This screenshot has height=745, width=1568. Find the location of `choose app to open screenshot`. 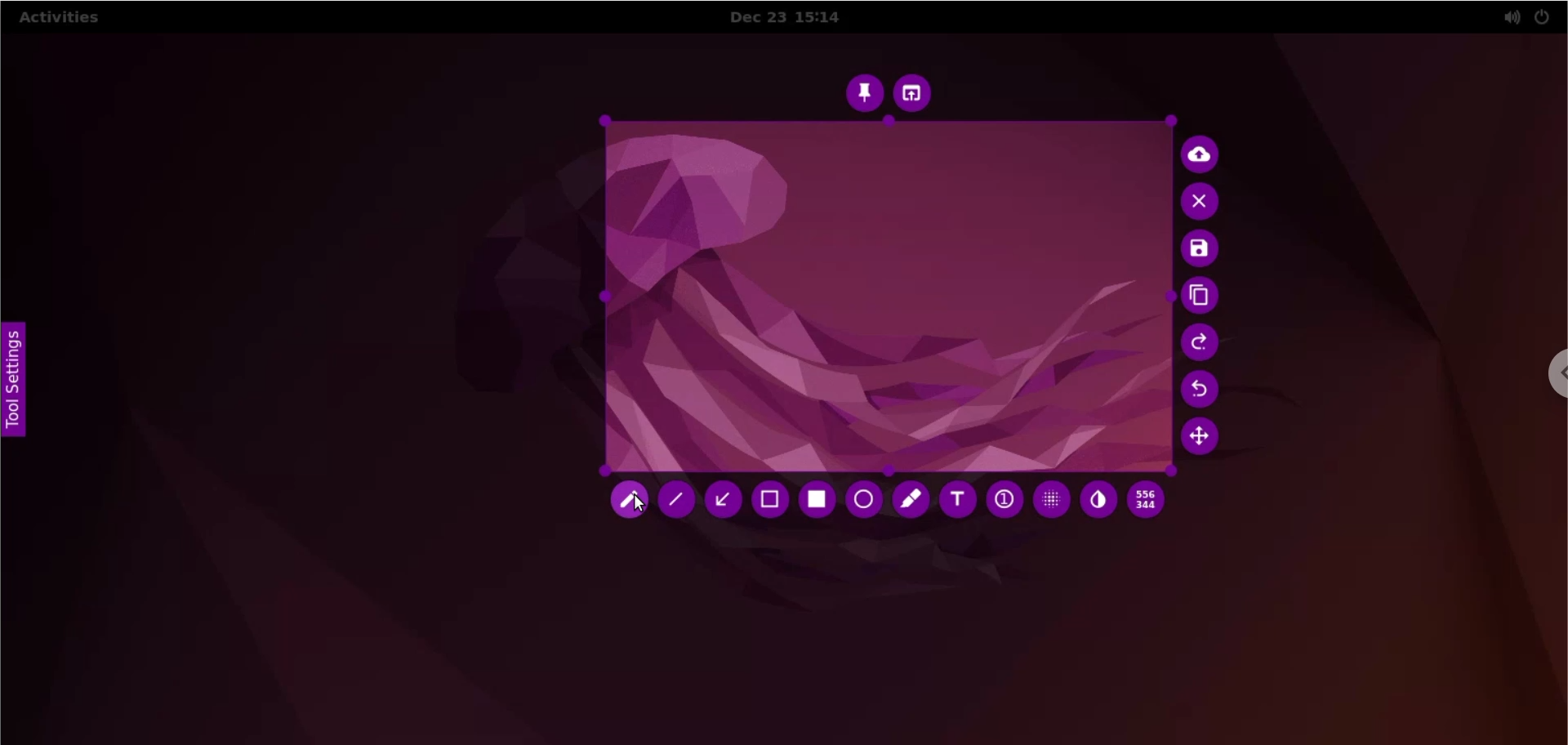

choose app to open screenshot is located at coordinates (920, 93).